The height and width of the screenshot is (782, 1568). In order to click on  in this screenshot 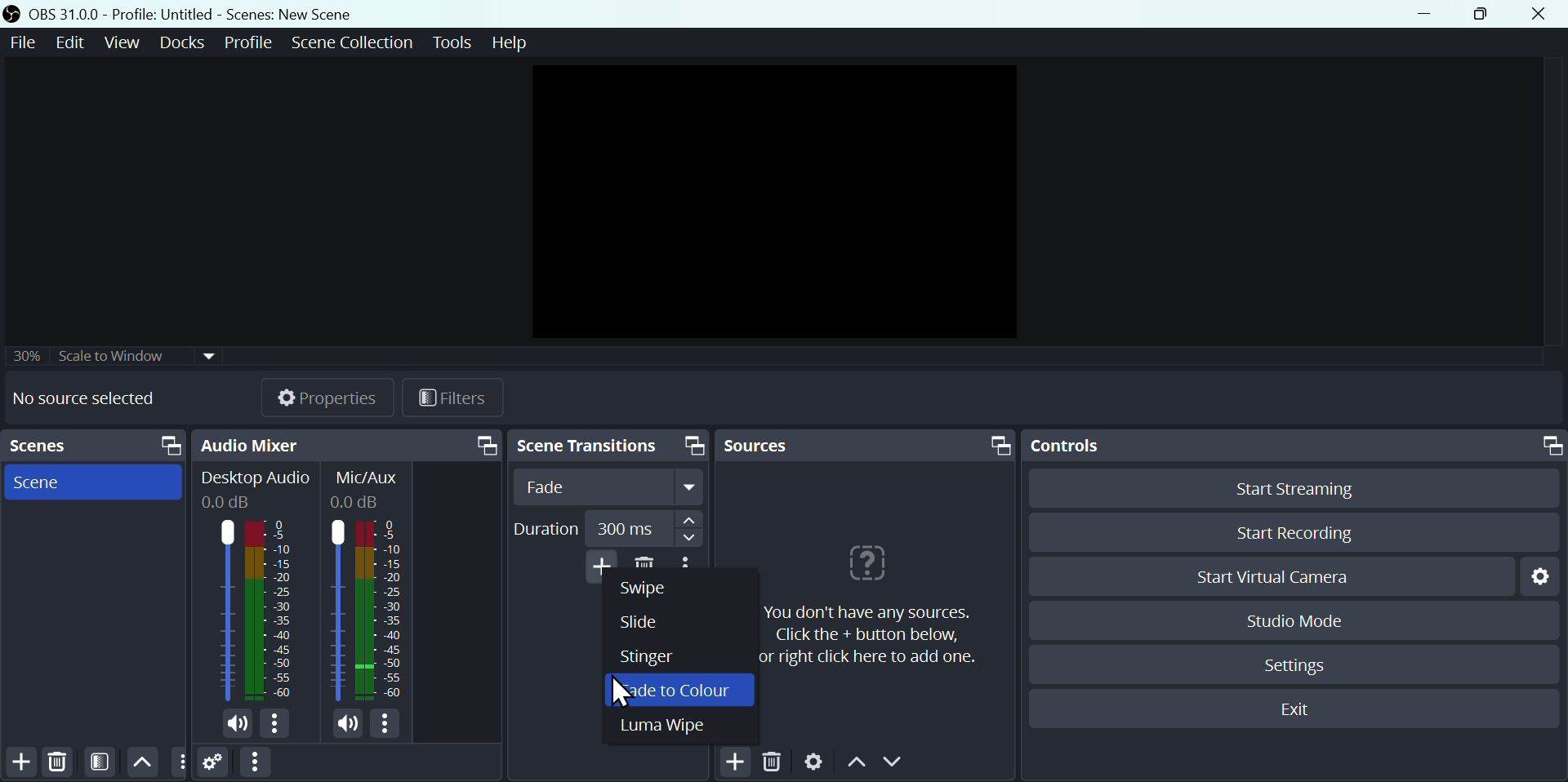, I will do `click(692, 529)`.